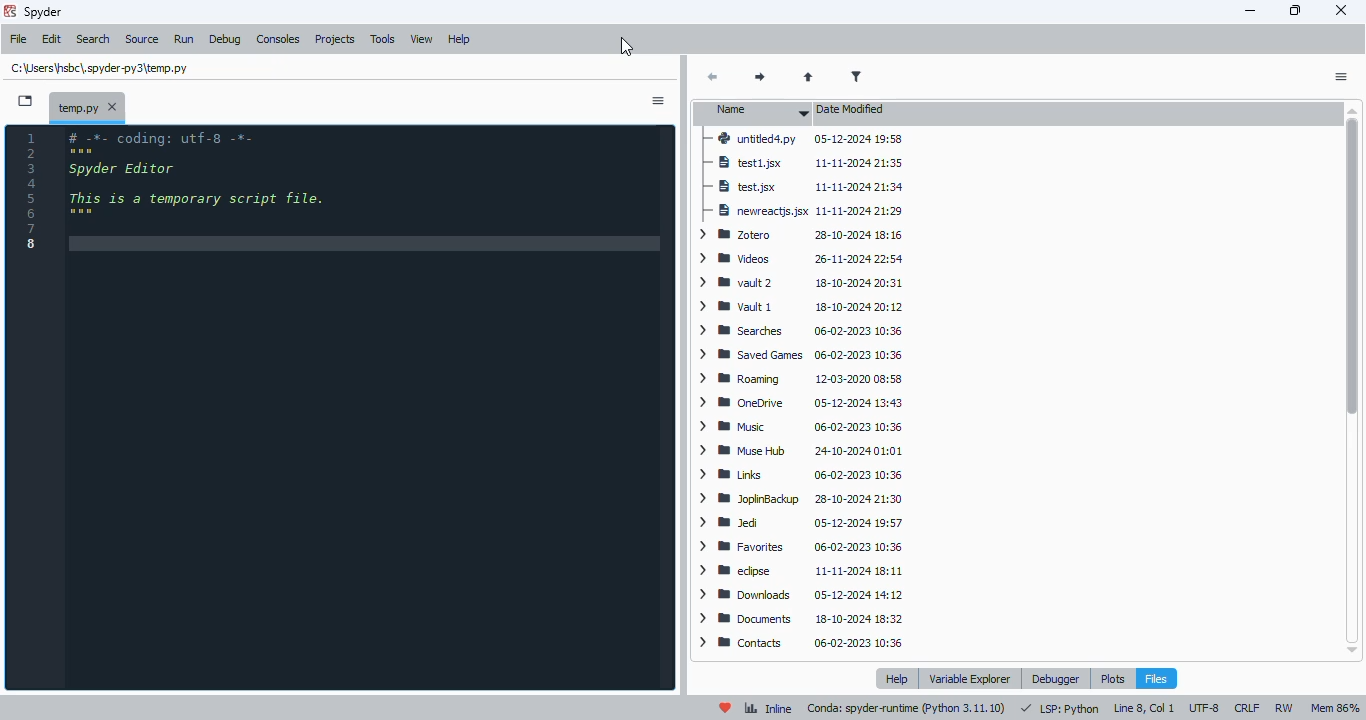 This screenshot has height=720, width=1366. What do you see at coordinates (1204, 709) in the screenshot?
I see `UTF-8` at bounding box center [1204, 709].